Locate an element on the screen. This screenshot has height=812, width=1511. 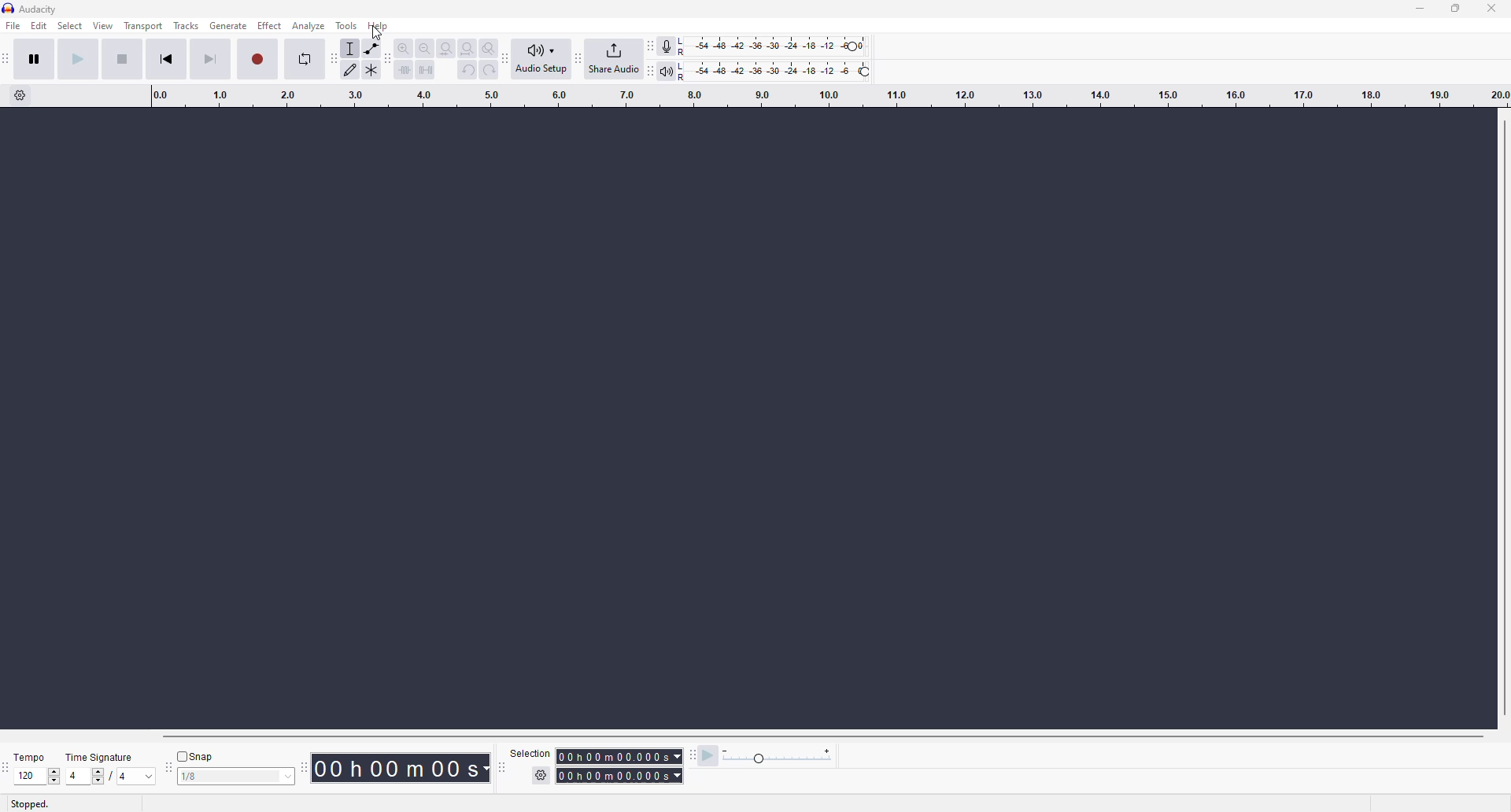
click and drag to define a looping region is located at coordinates (822, 98).